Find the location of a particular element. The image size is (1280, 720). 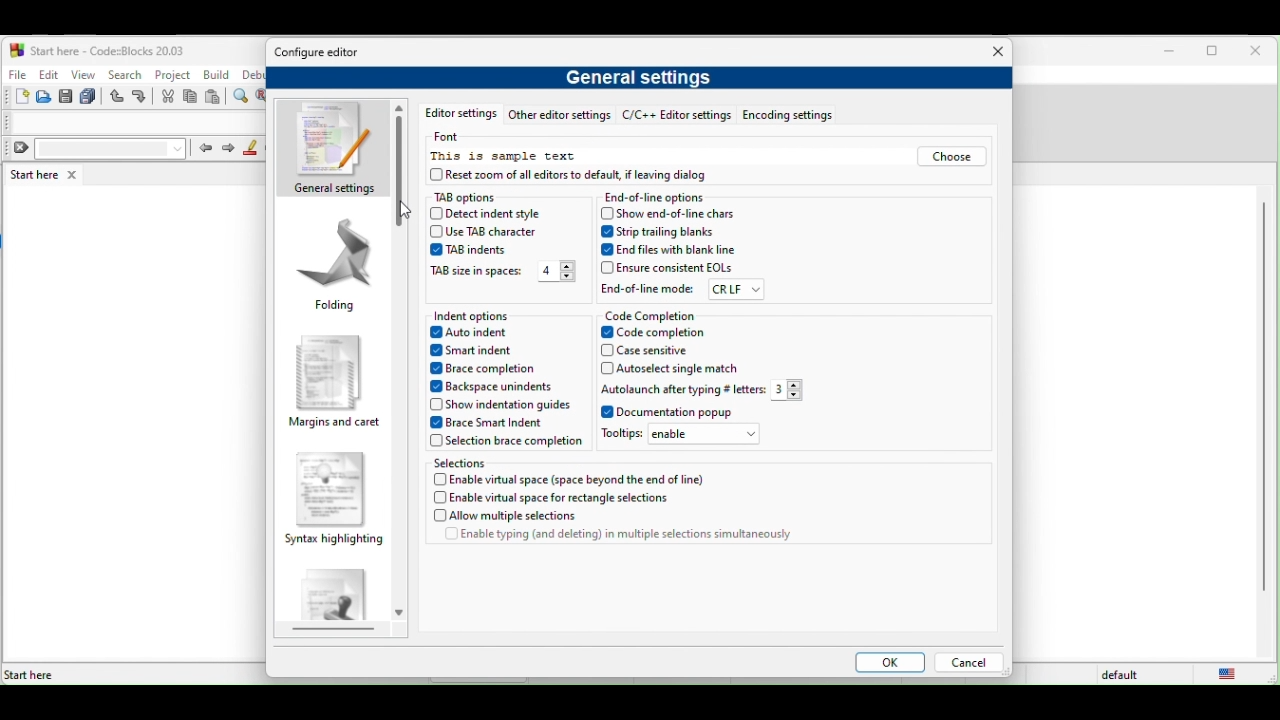

cut is located at coordinates (168, 97).